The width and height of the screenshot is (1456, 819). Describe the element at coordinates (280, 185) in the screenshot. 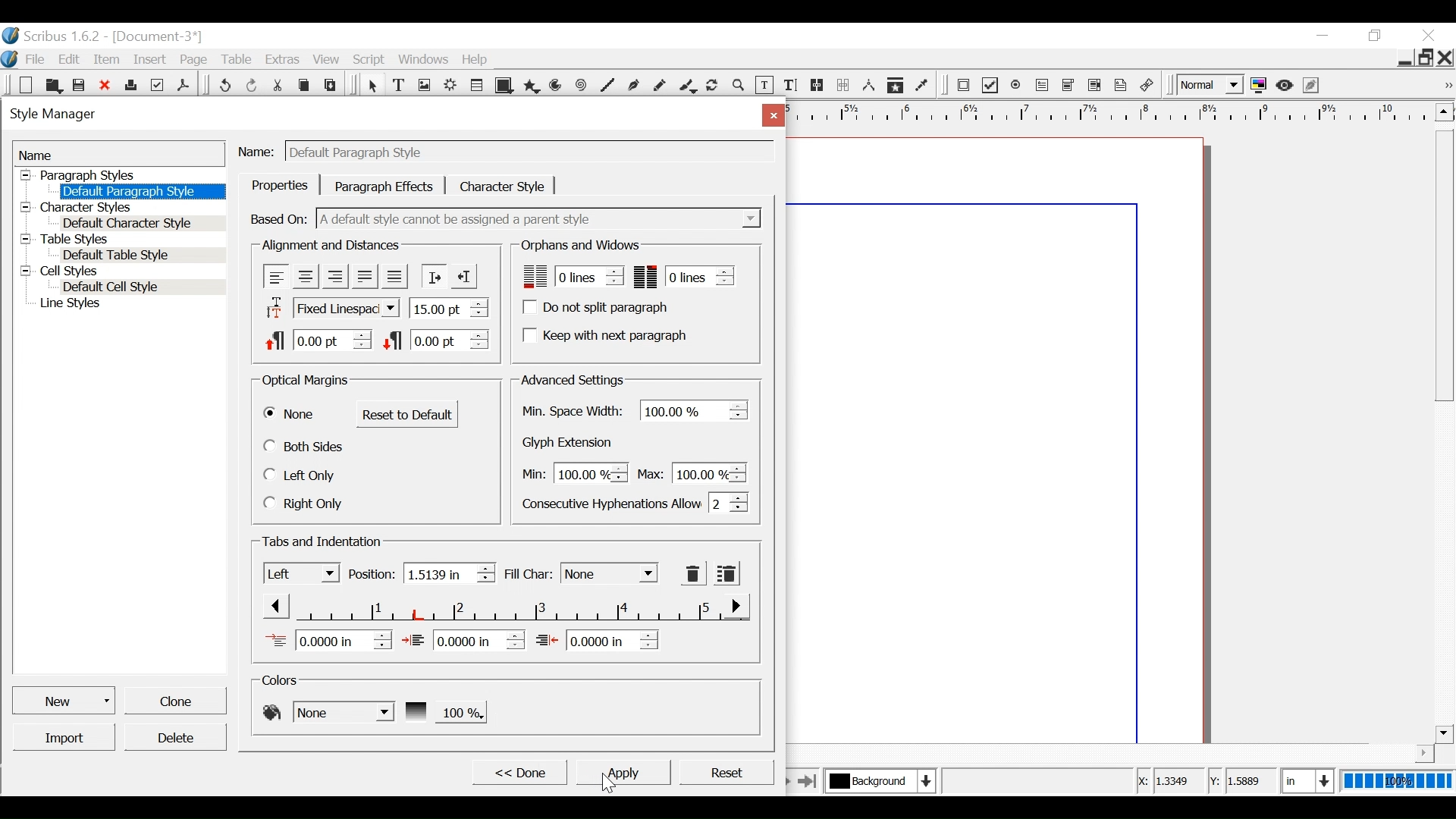

I see `Properties` at that location.